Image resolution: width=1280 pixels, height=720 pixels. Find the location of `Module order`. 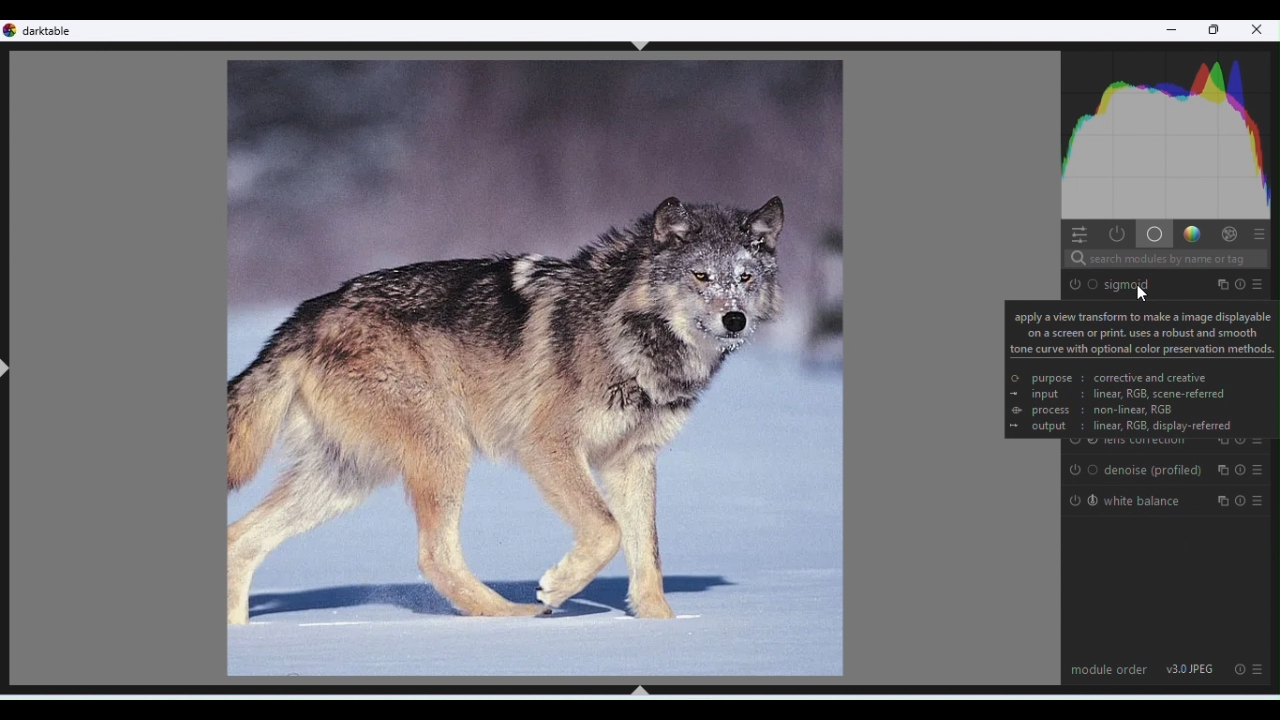

Module order is located at coordinates (1109, 668).